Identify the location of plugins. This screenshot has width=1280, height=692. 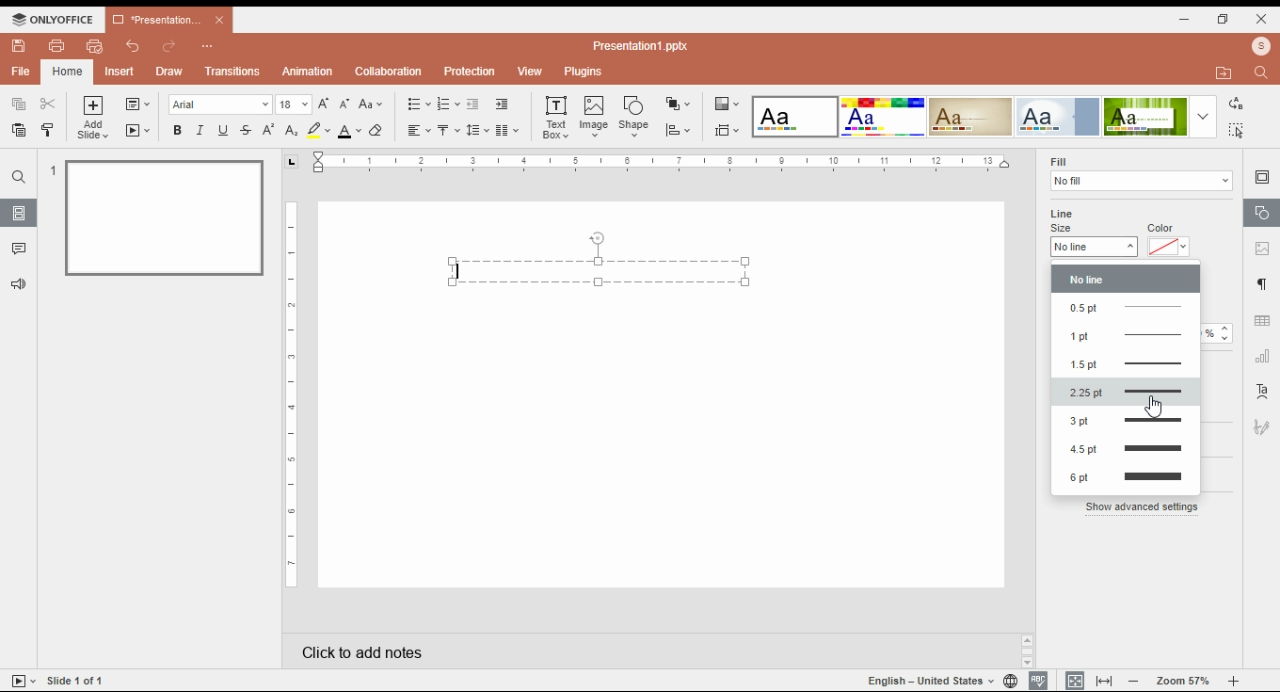
(582, 71).